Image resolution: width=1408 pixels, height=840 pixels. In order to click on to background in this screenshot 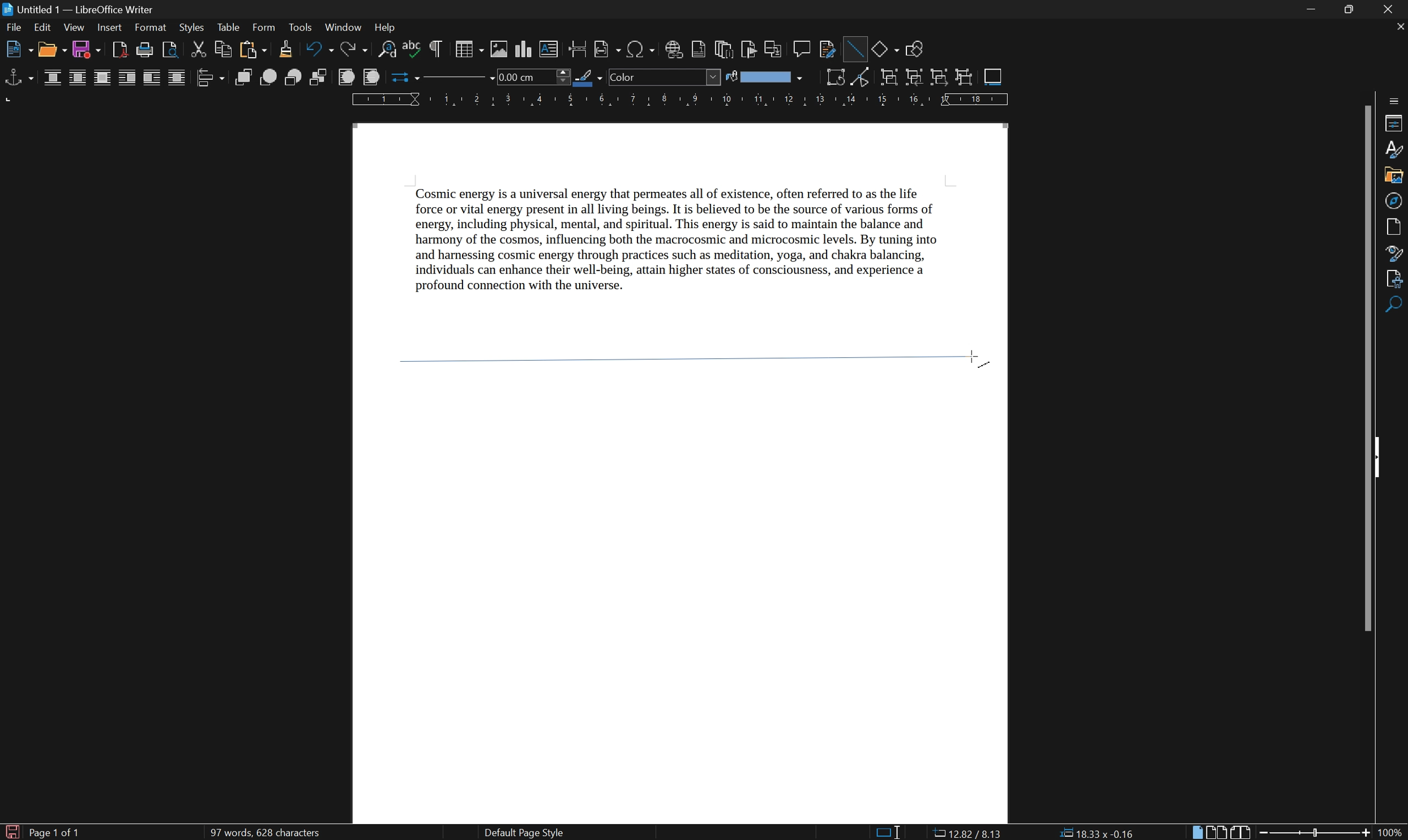, I will do `click(370, 77)`.